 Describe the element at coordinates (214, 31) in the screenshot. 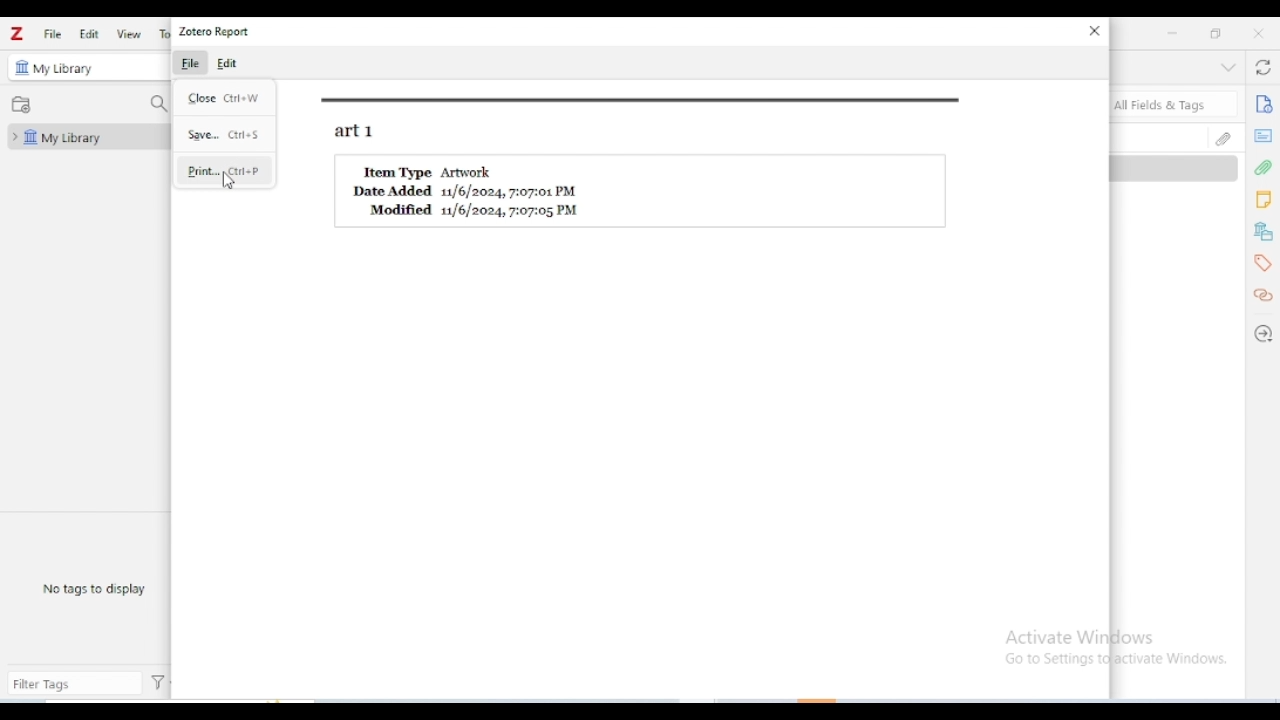

I see `zotero report` at that location.